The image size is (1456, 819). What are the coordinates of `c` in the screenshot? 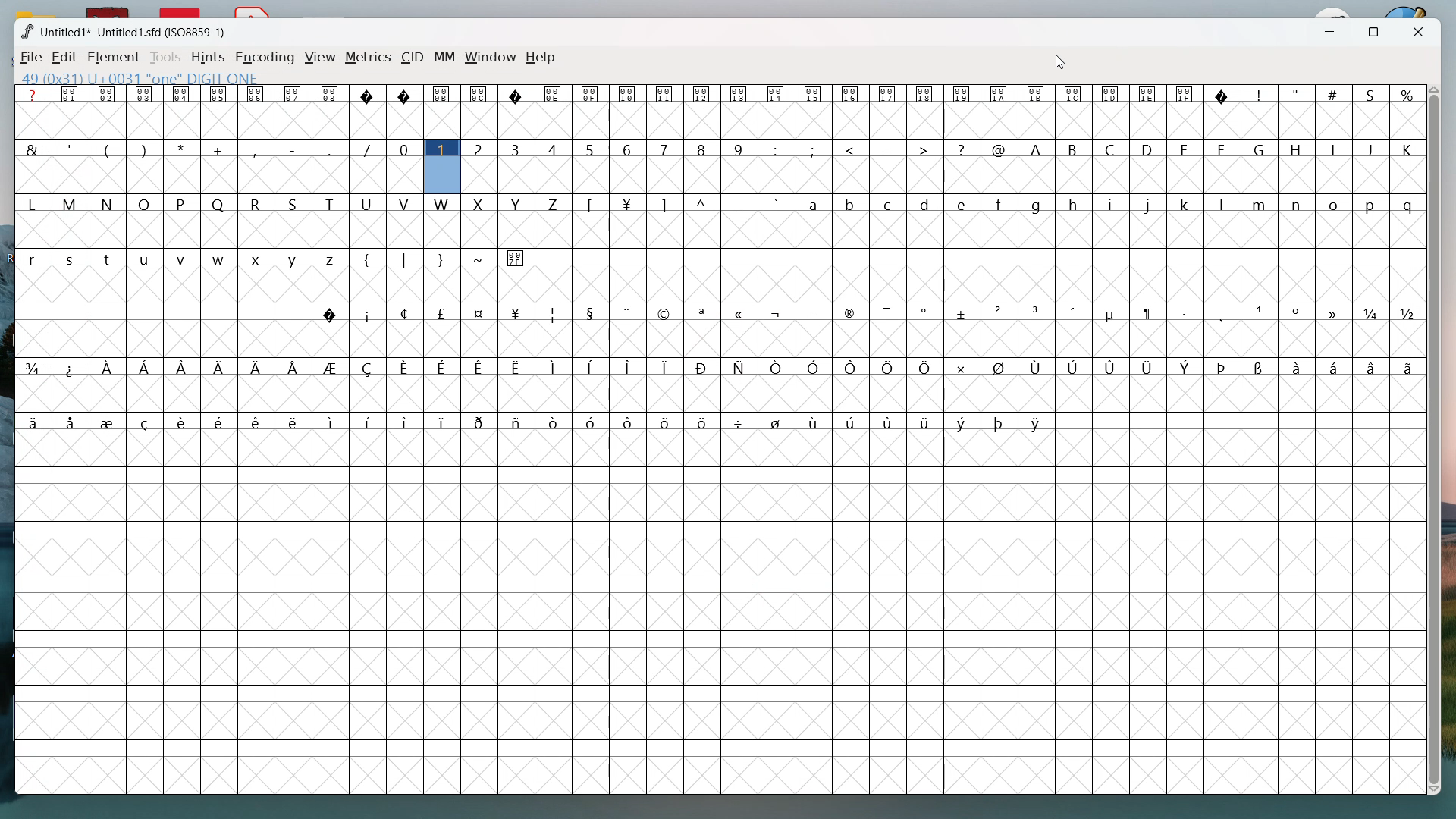 It's located at (890, 203).